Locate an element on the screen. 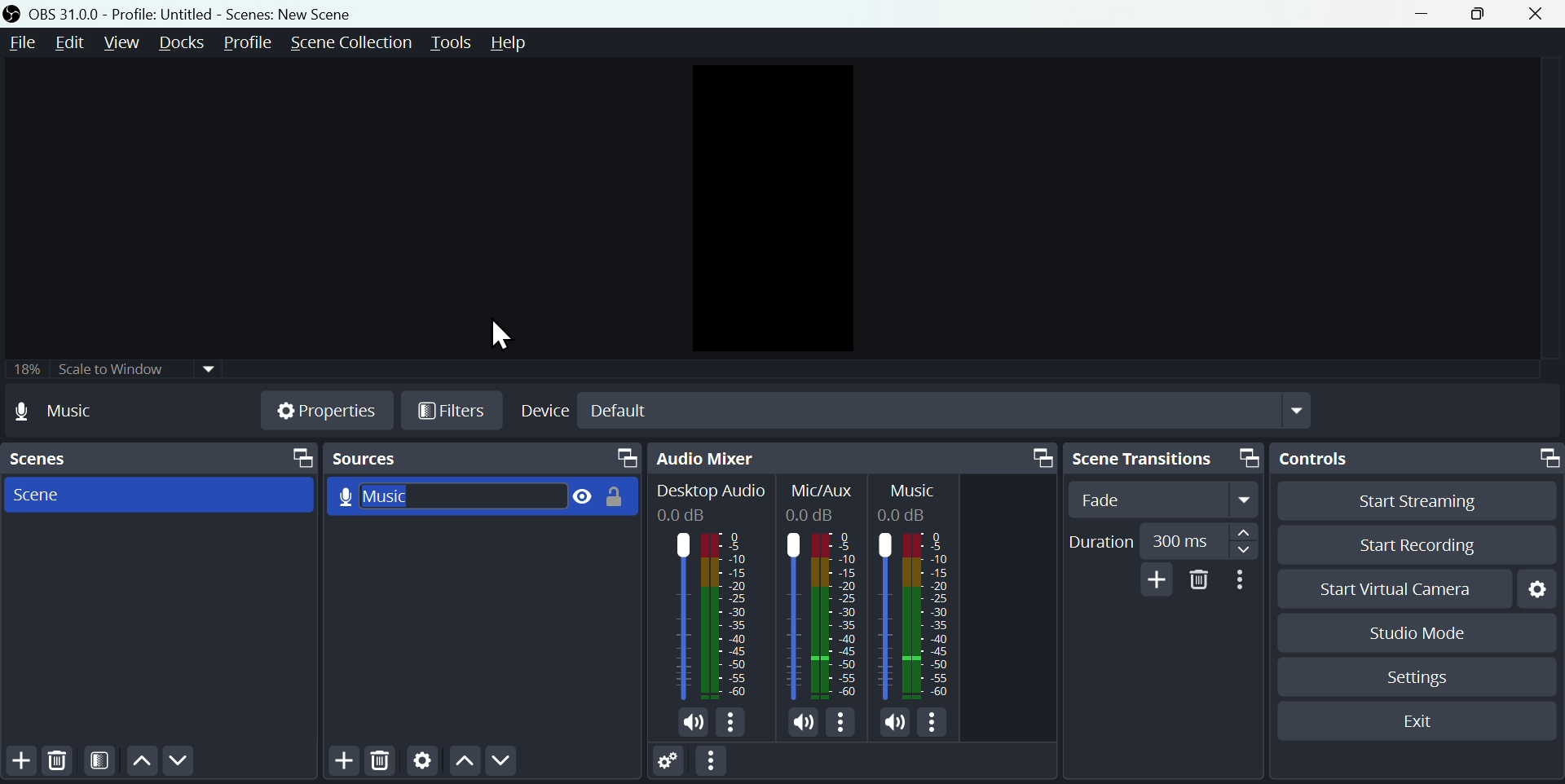  Properties is located at coordinates (322, 411).